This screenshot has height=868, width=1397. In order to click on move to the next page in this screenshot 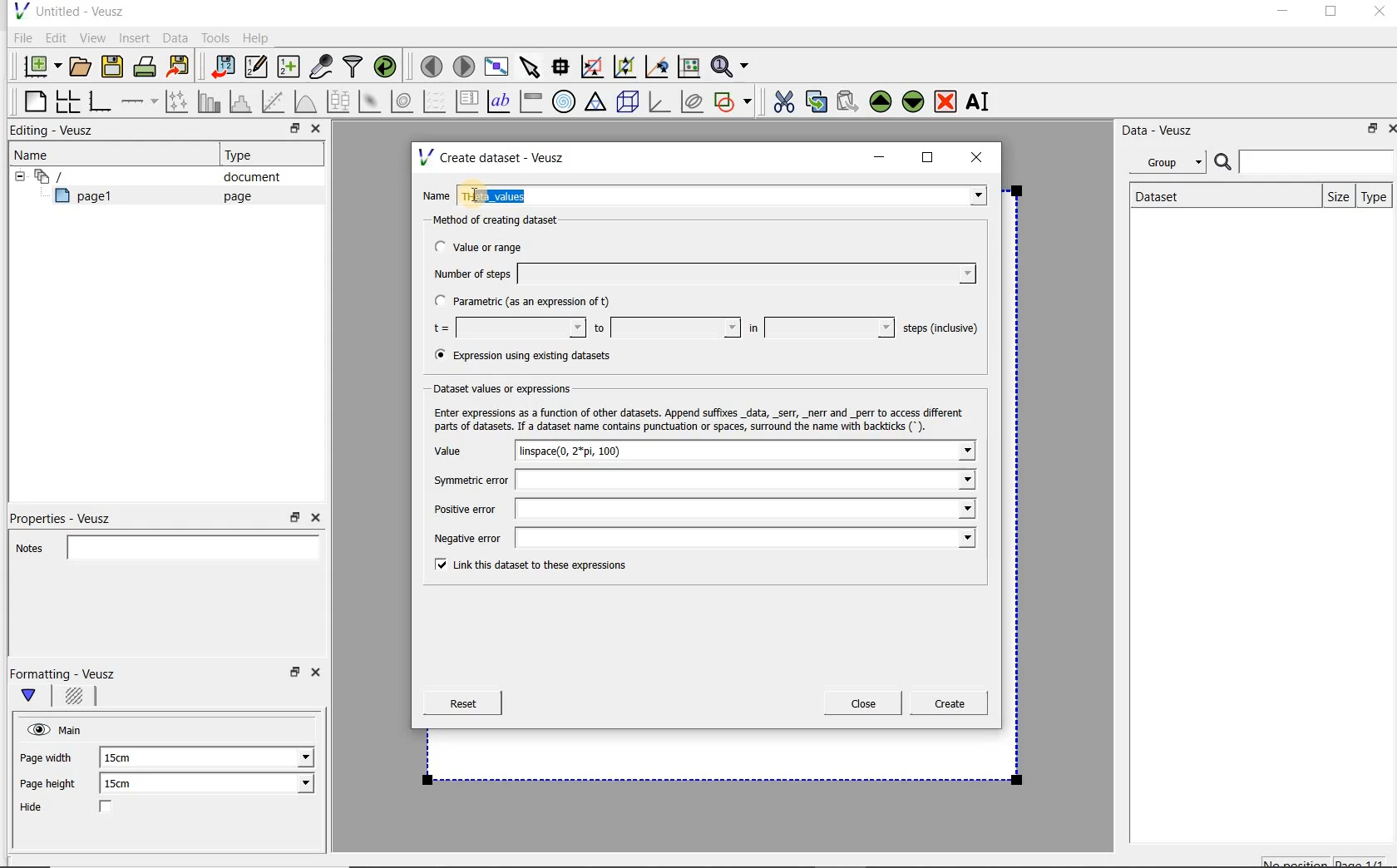, I will do `click(464, 67)`.